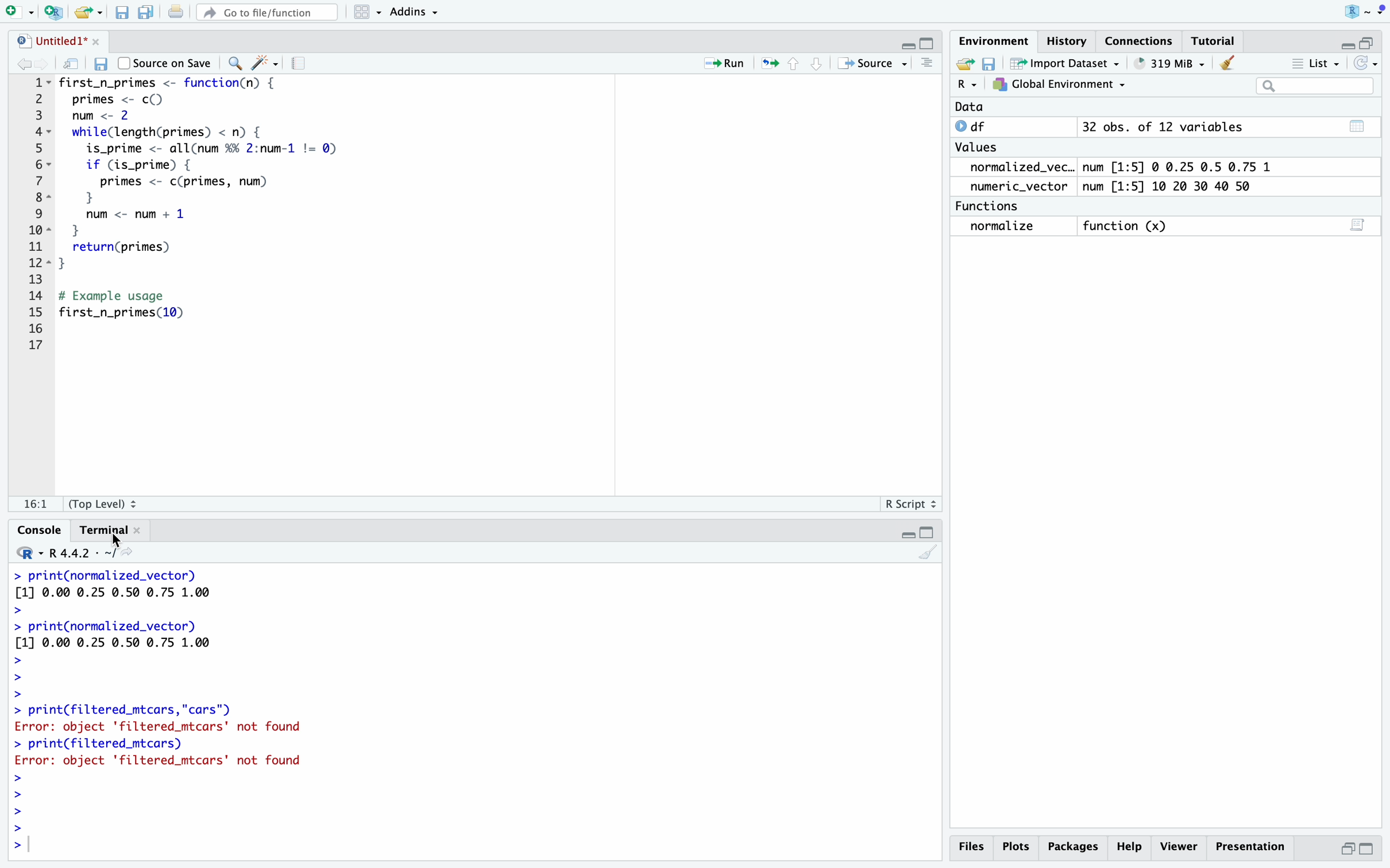 The height and width of the screenshot is (868, 1390). I want to click on Data, so click(1082, 107).